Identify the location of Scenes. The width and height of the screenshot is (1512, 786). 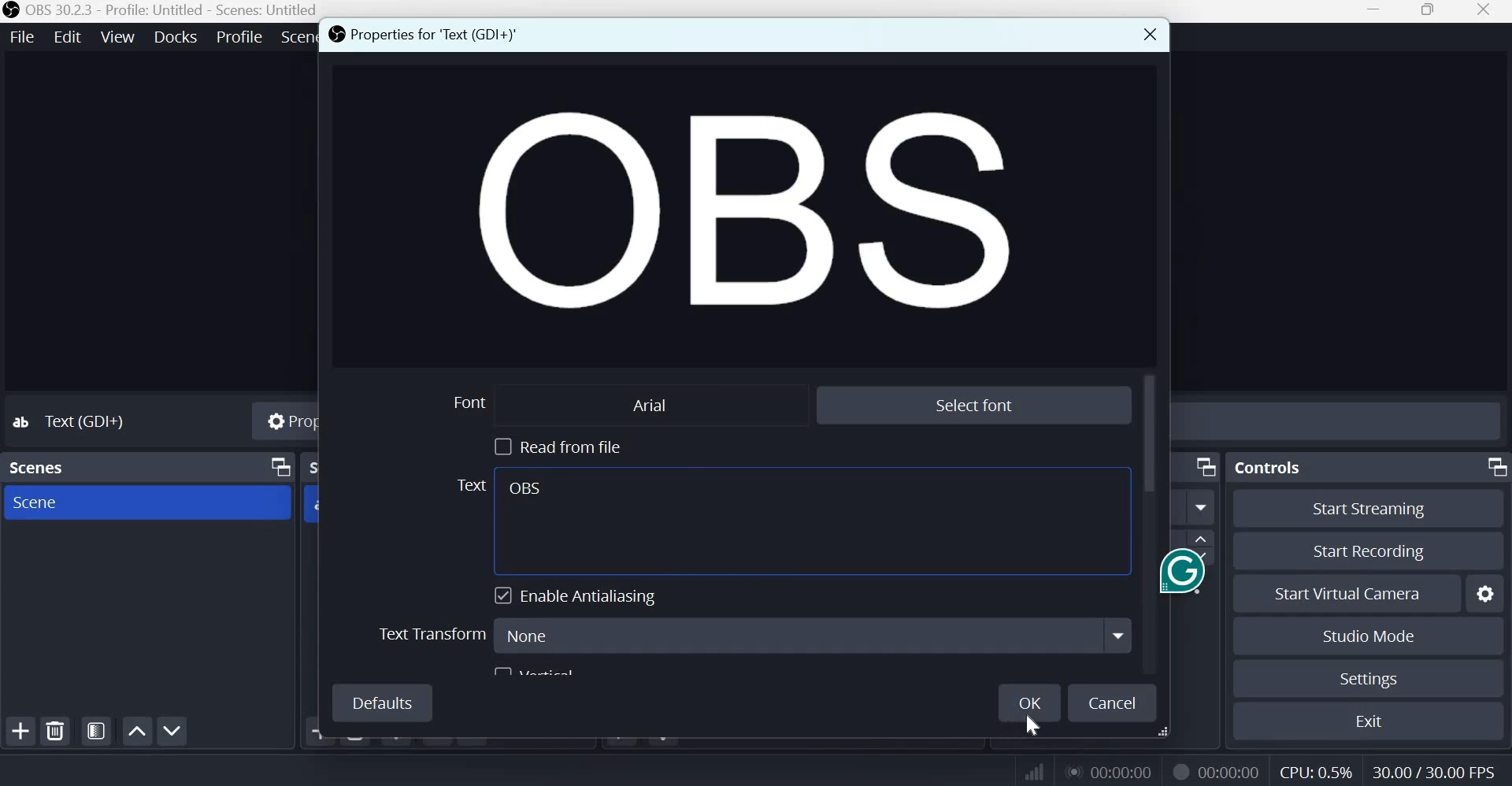
(37, 468).